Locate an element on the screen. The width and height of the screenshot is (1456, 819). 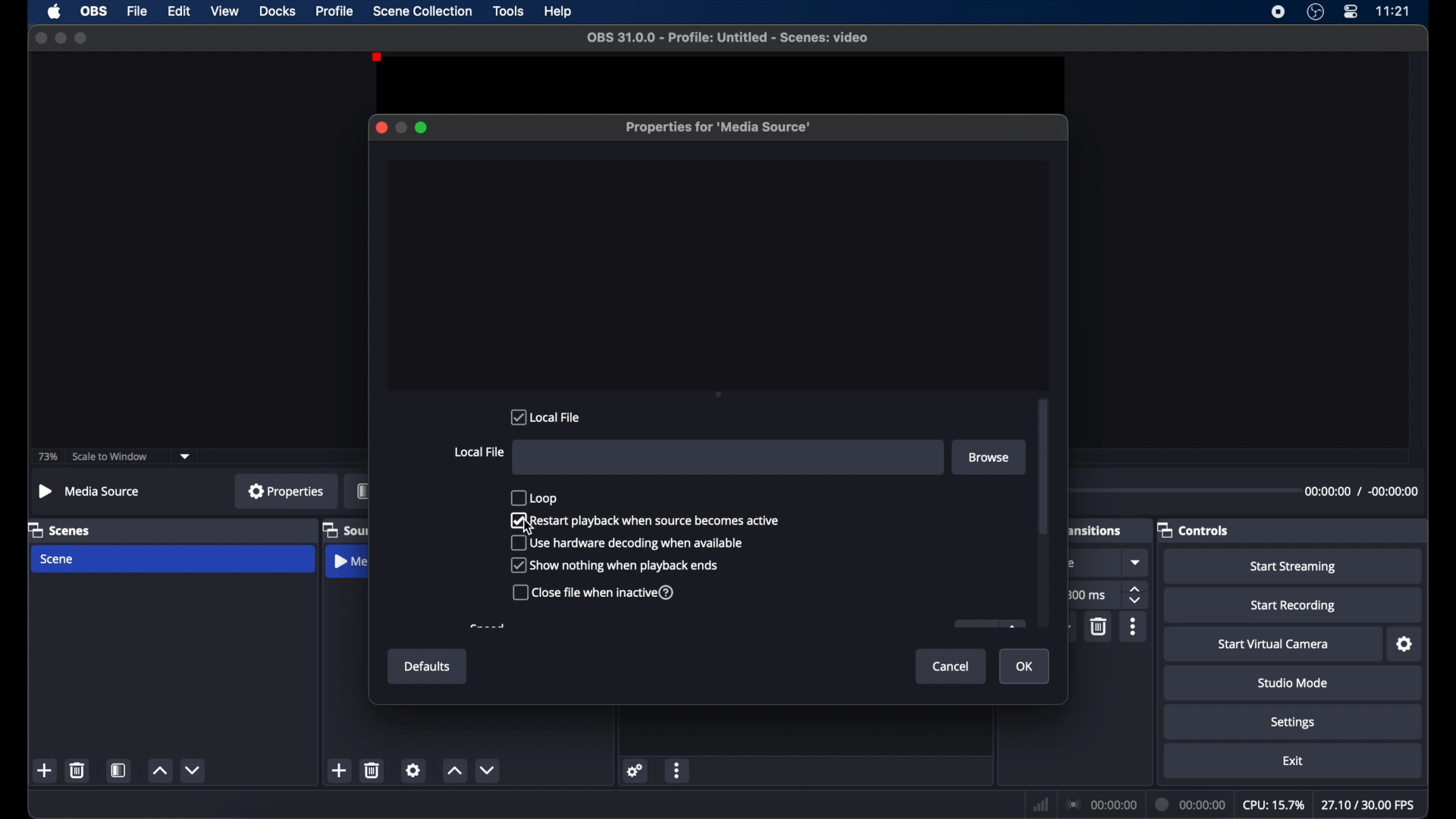
docks is located at coordinates (278, 11).